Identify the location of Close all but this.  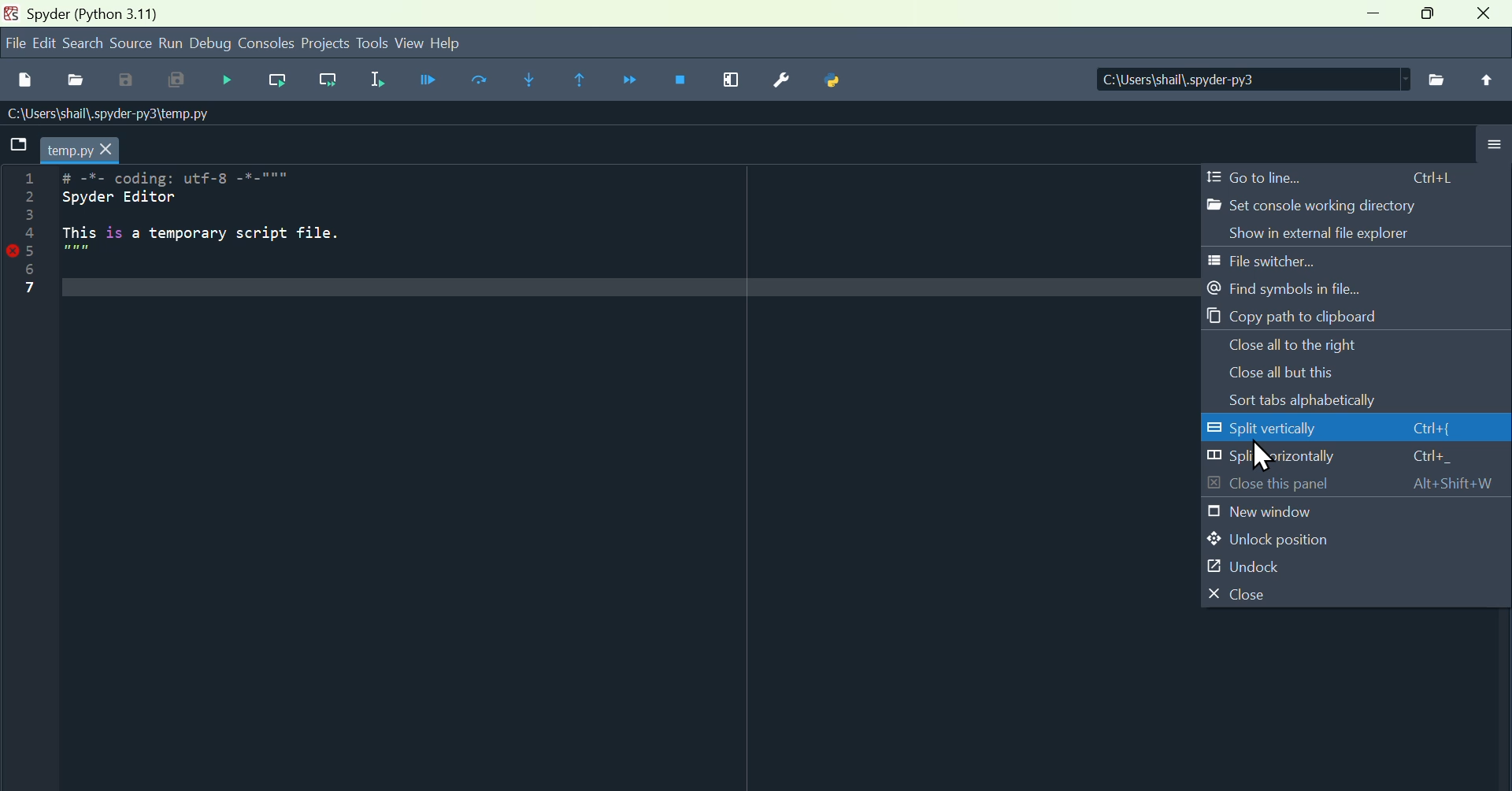
(1340, 377).